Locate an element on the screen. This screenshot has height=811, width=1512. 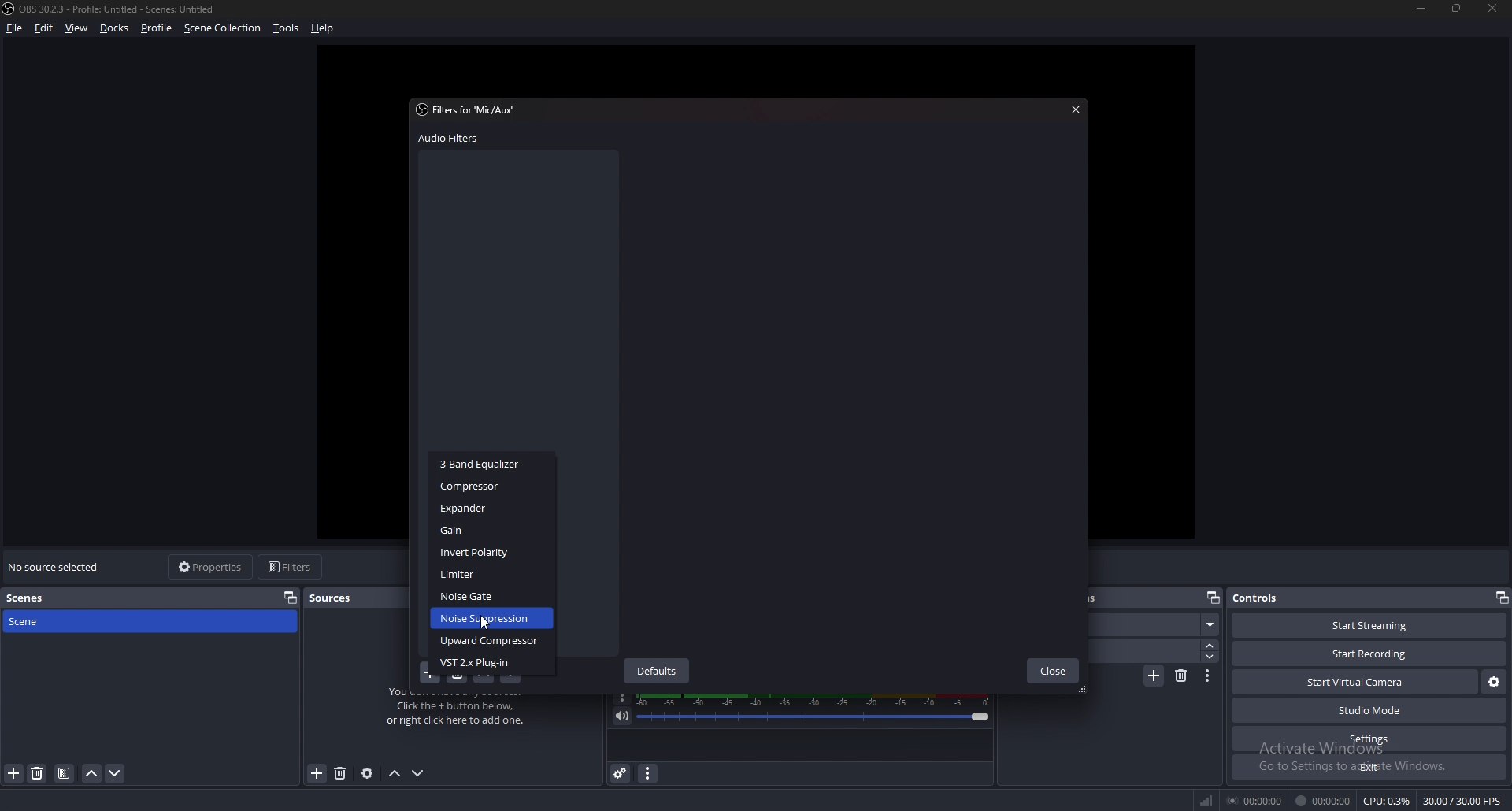
filter for 'mic/aux' is located at coordinates (469, 111).